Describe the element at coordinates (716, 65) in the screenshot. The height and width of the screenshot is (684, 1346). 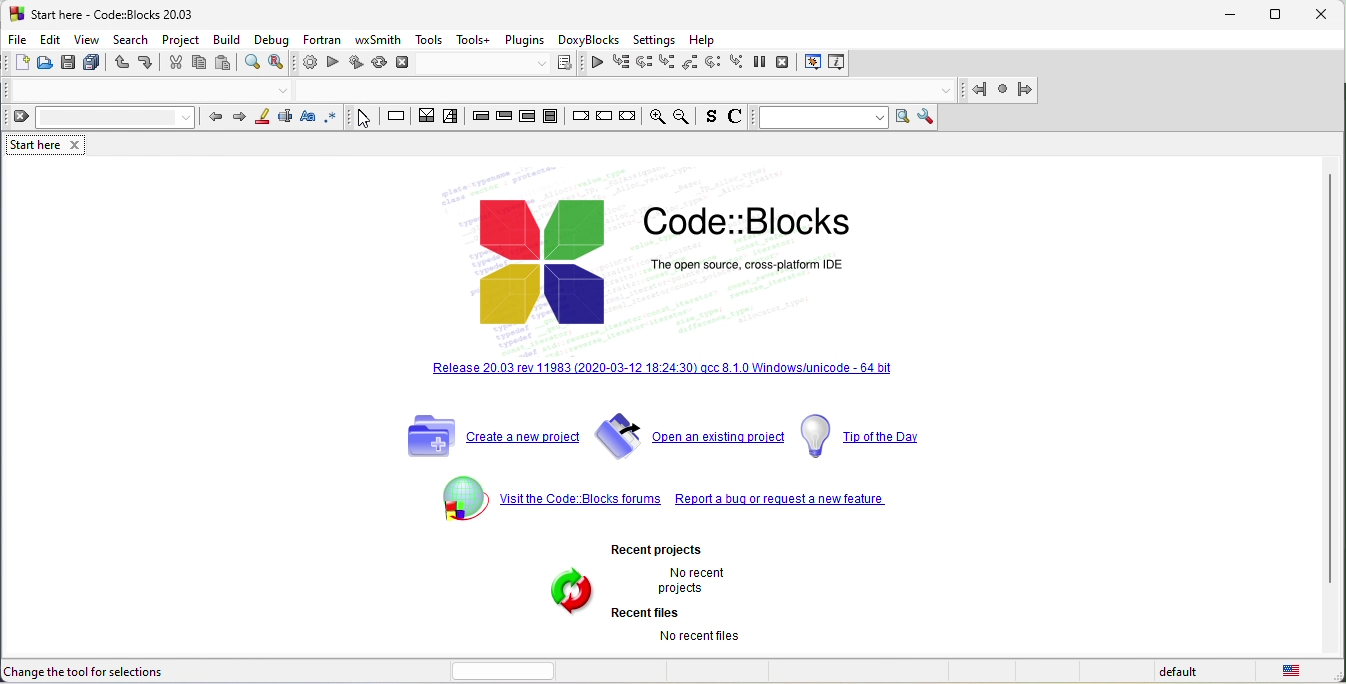
I see `next instruction` at that location.